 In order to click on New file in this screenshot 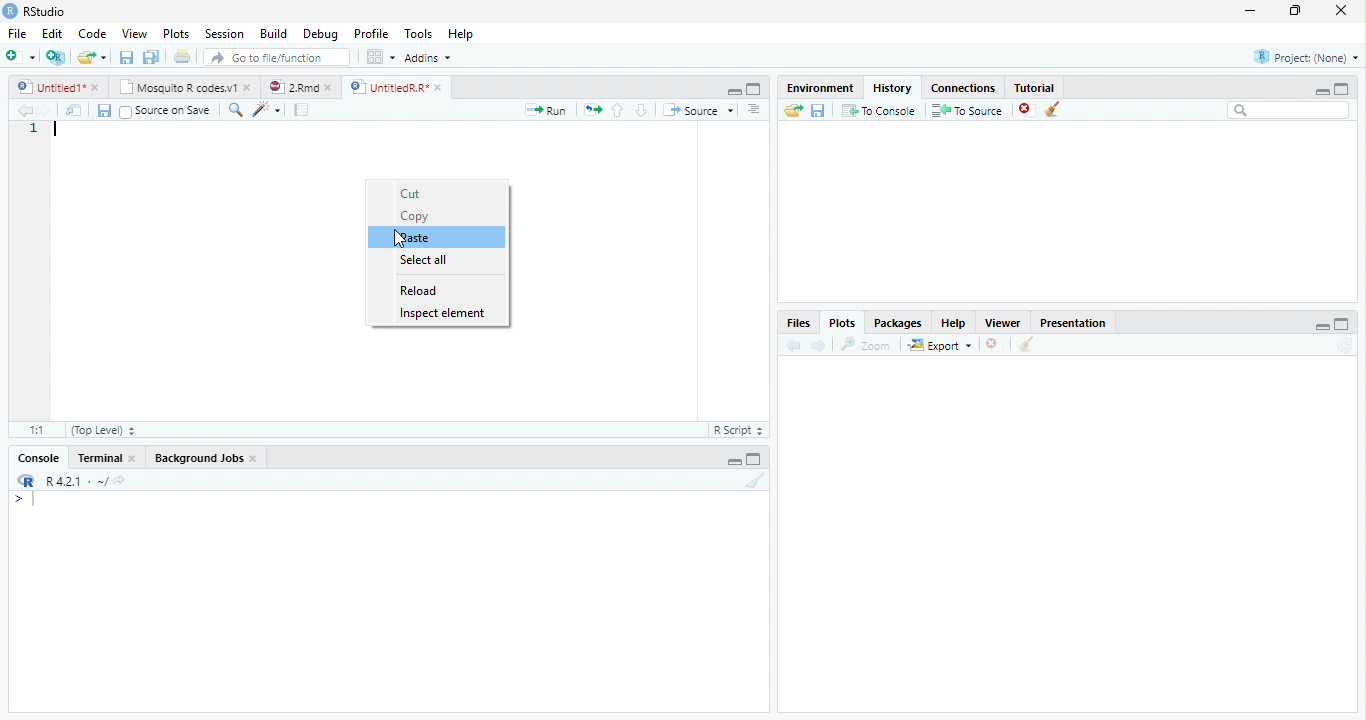, I will do `click(20, 57)`.